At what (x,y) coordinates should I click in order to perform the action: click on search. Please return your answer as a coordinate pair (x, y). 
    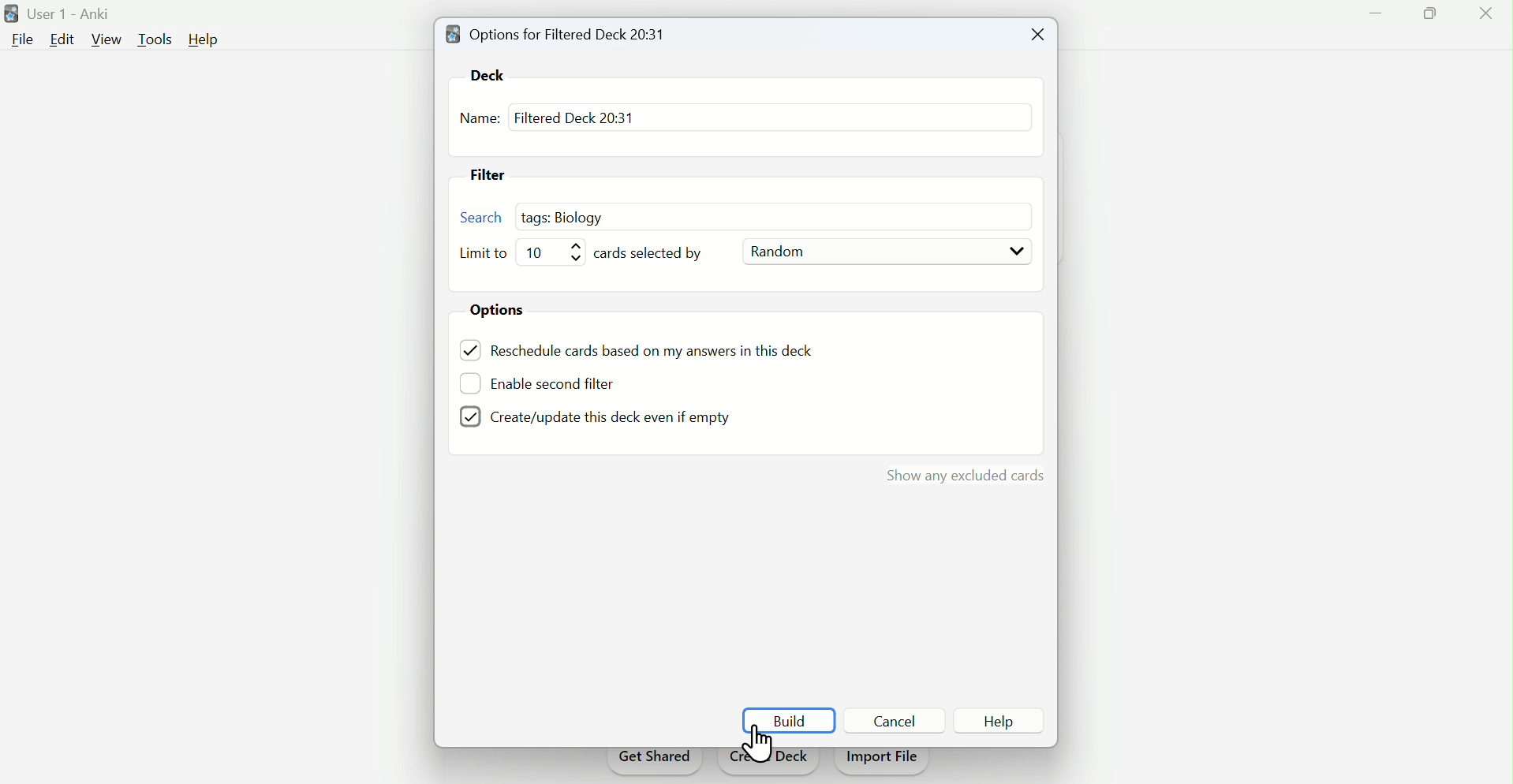
    Looking at the image, I should click on (477, 216).